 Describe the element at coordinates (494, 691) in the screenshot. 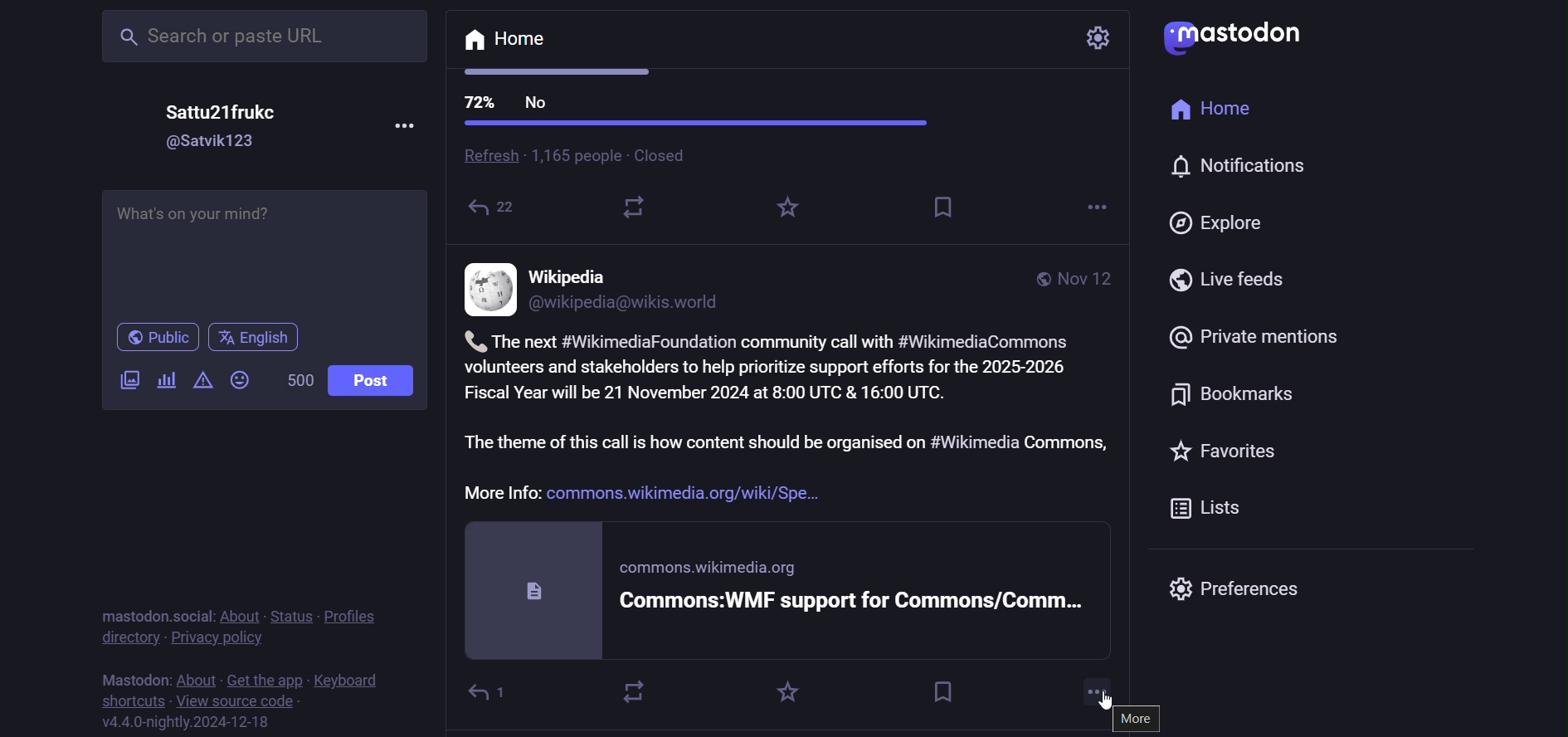

I see `reply` at that location.